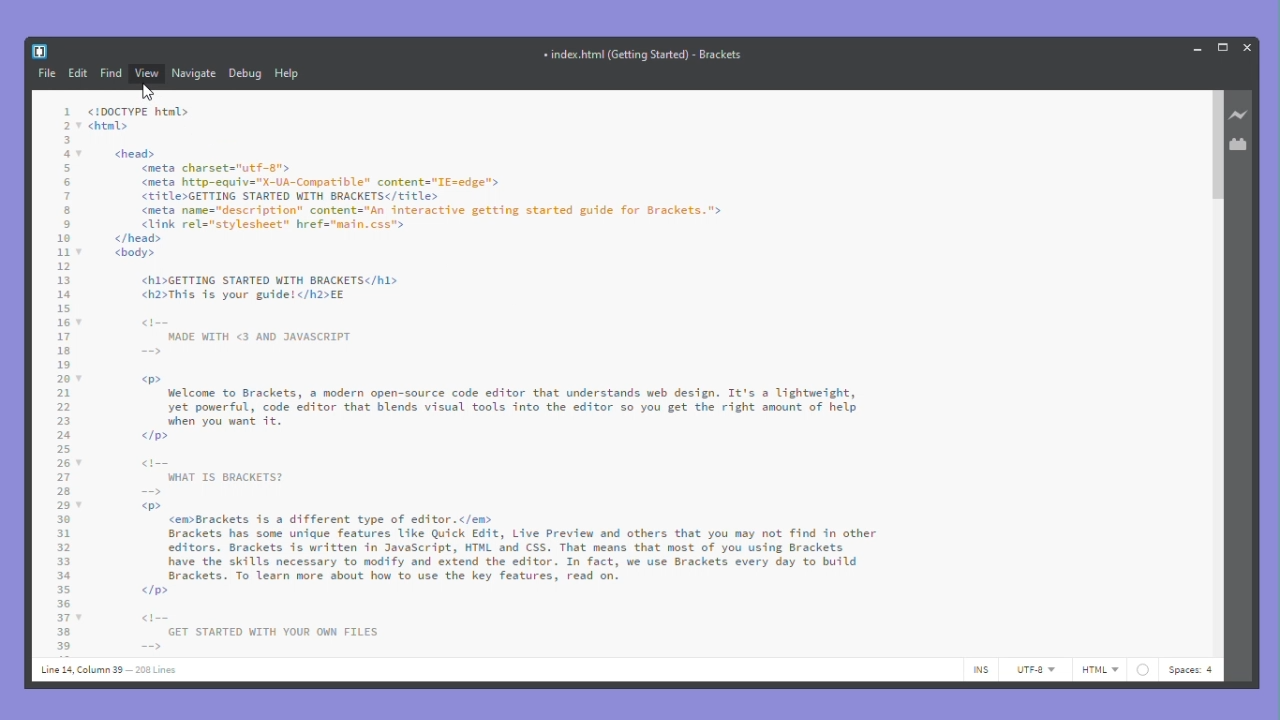 Image resolution: width=1280 pixels, height=720 pixels. What do you see at coordinates (63, 618) in the screenshot?
I see `37` at bounding box center [63, 618].